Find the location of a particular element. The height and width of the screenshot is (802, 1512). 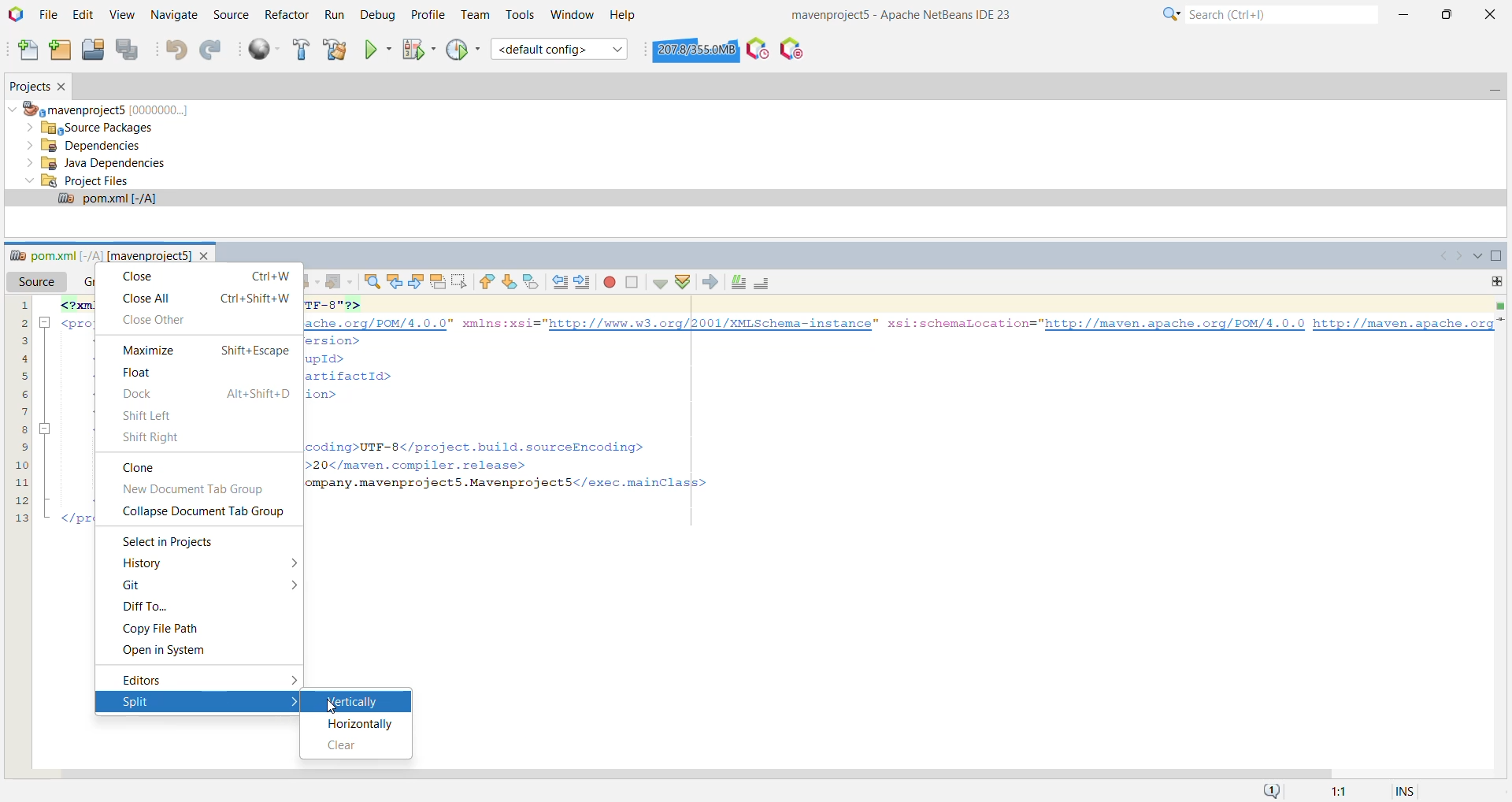

Copy File Path is located at coordinates (161, 628).